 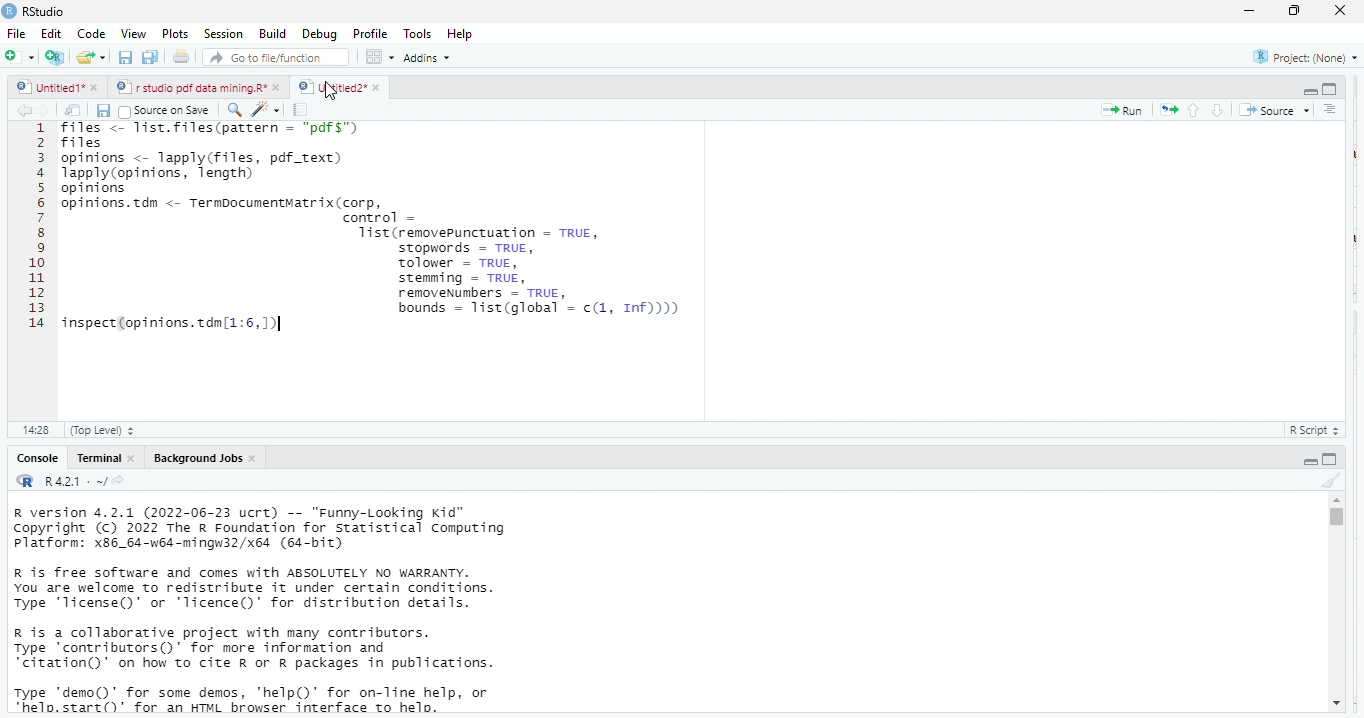 What do you see at coordinates (104, 109) in the screenshot?
I see `save current` at bounding box center [104, 109].